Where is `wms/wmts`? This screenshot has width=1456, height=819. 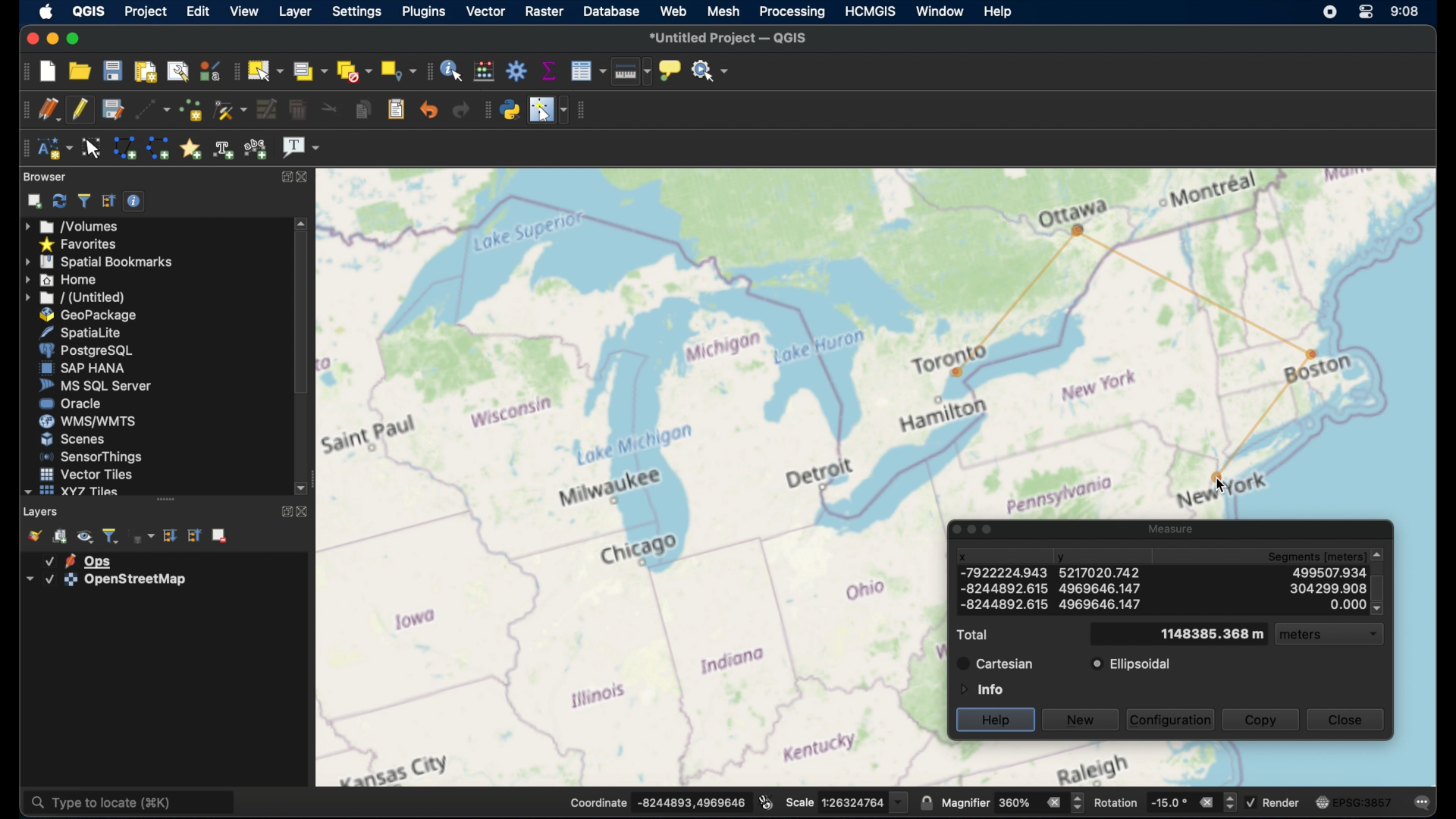 wms/wmts is located at coordinates (87, 422).